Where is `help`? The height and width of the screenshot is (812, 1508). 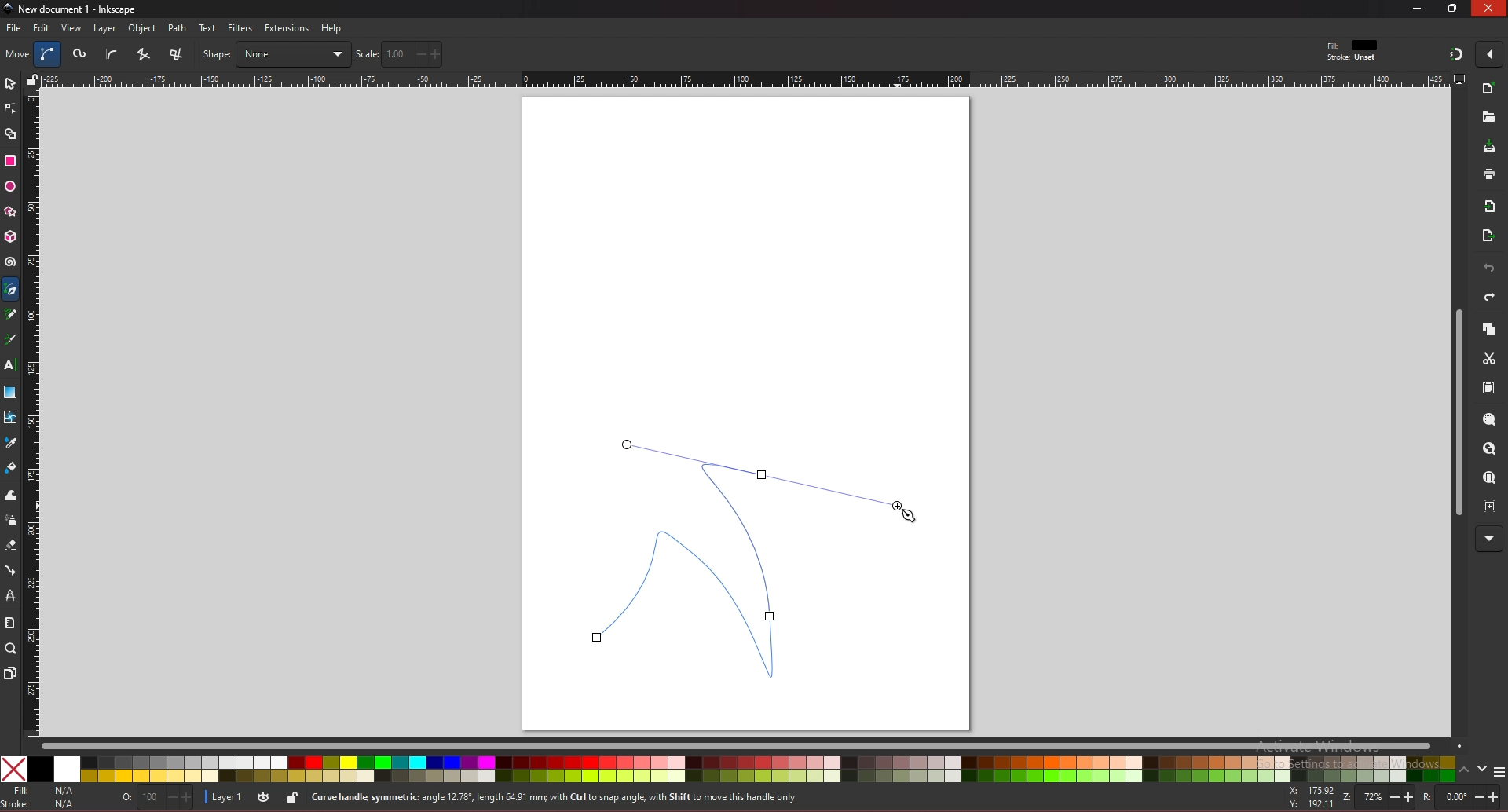 help is located at coordinates (332, 28).